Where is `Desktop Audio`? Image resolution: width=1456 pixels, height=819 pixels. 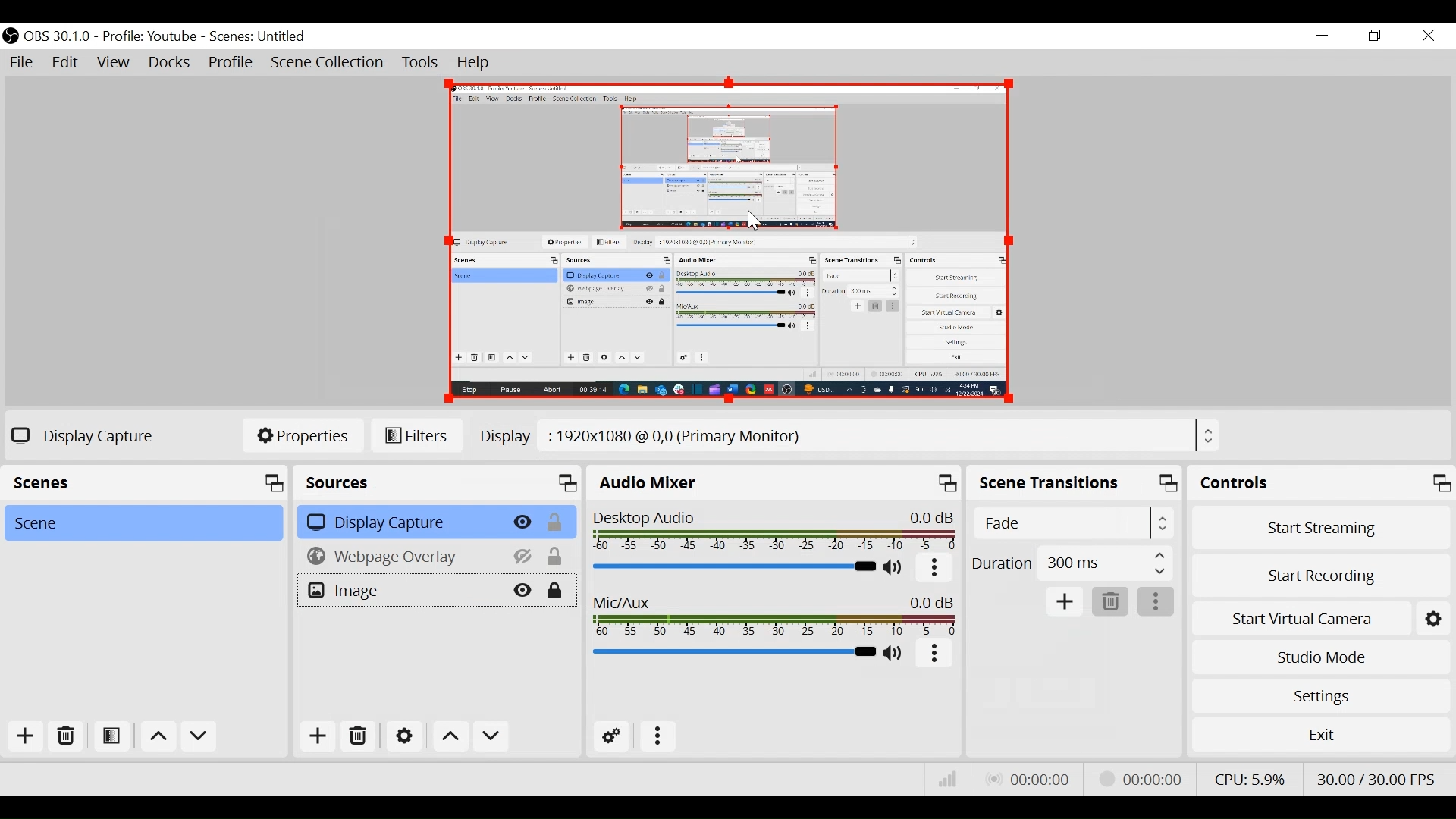
Desktop Audio is located at coordinates (772, 531).